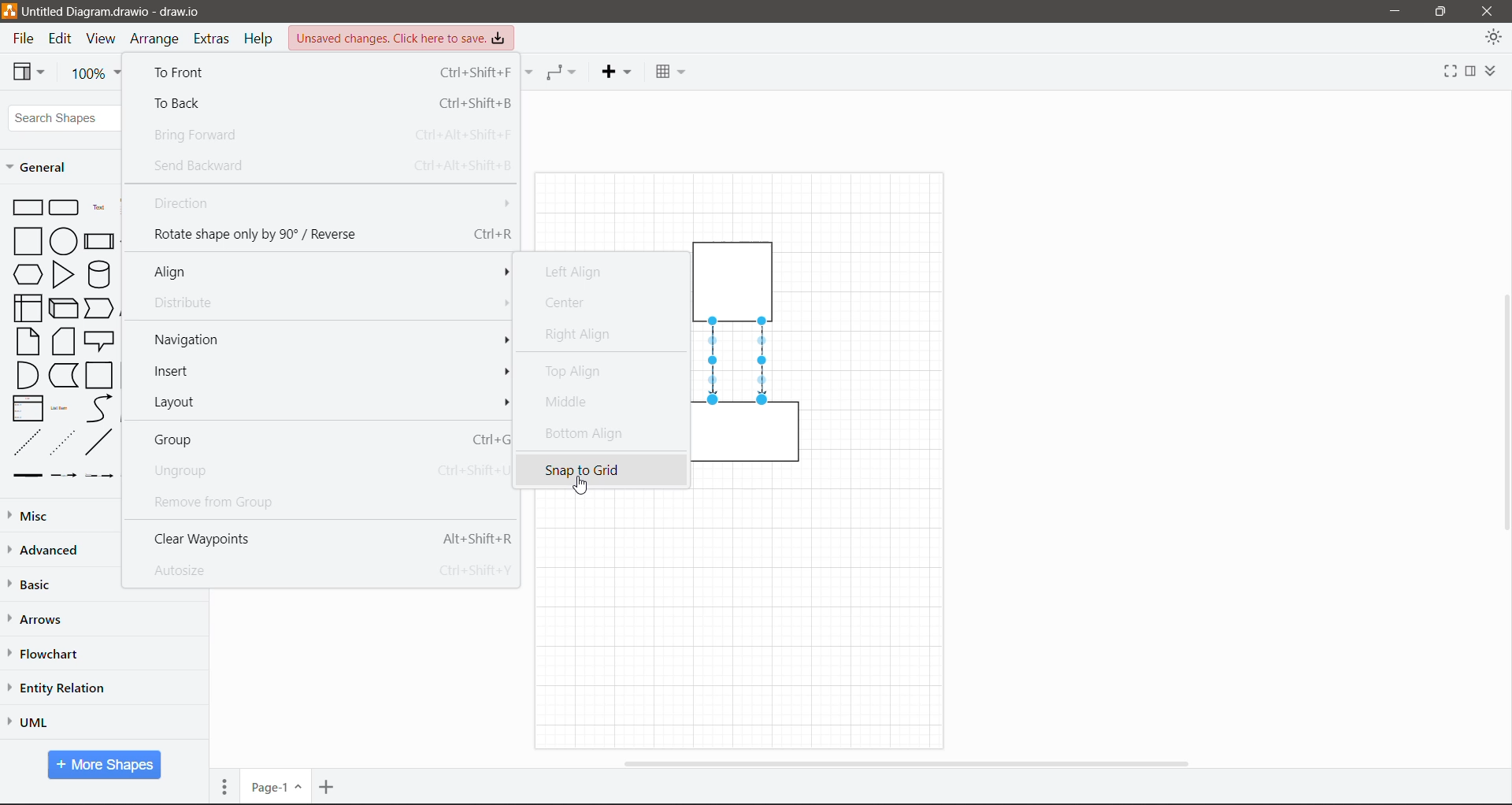  I want to click on close, so click(1487, 10).